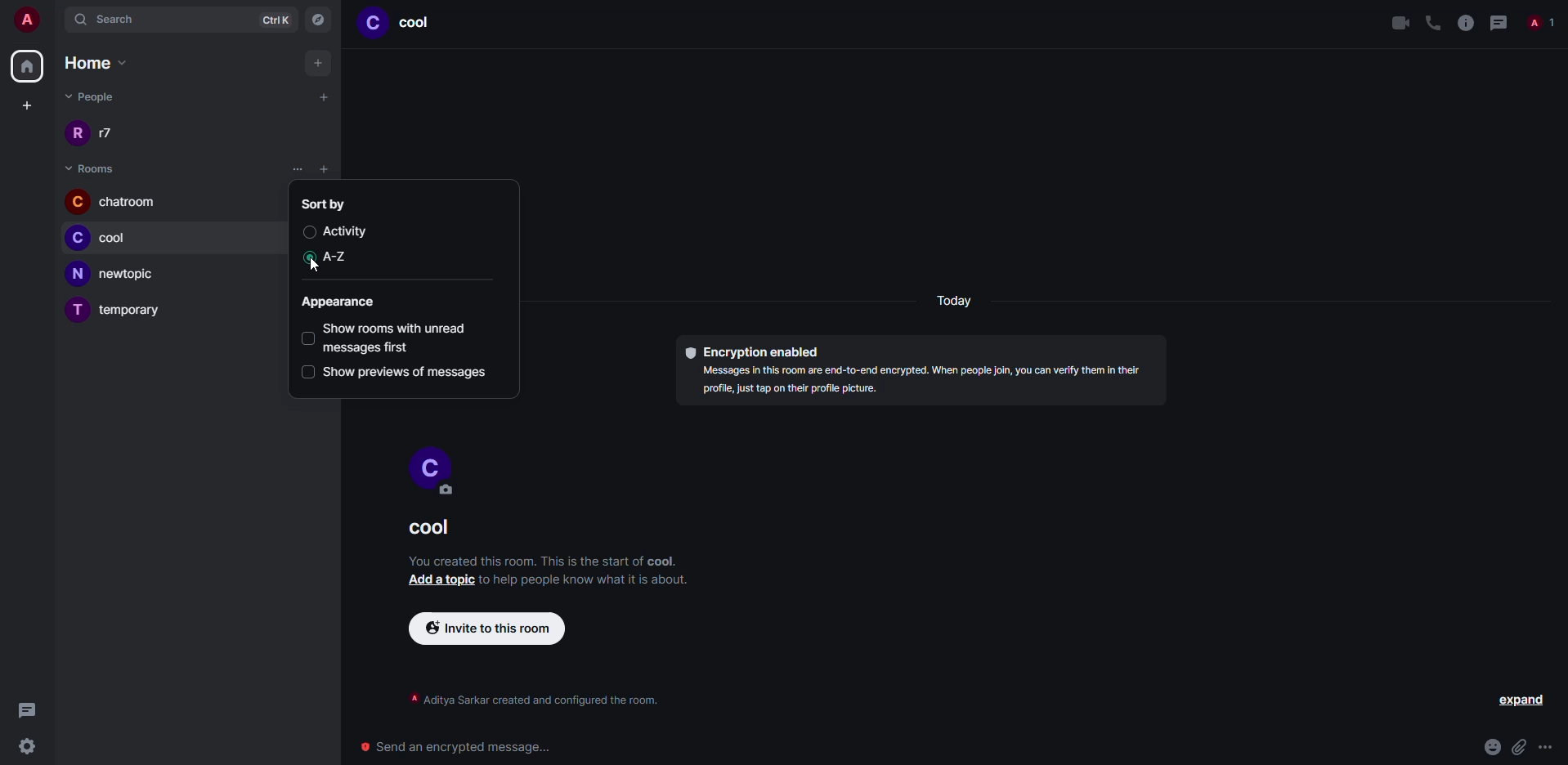  I want to click on edit, so click(449, 491).